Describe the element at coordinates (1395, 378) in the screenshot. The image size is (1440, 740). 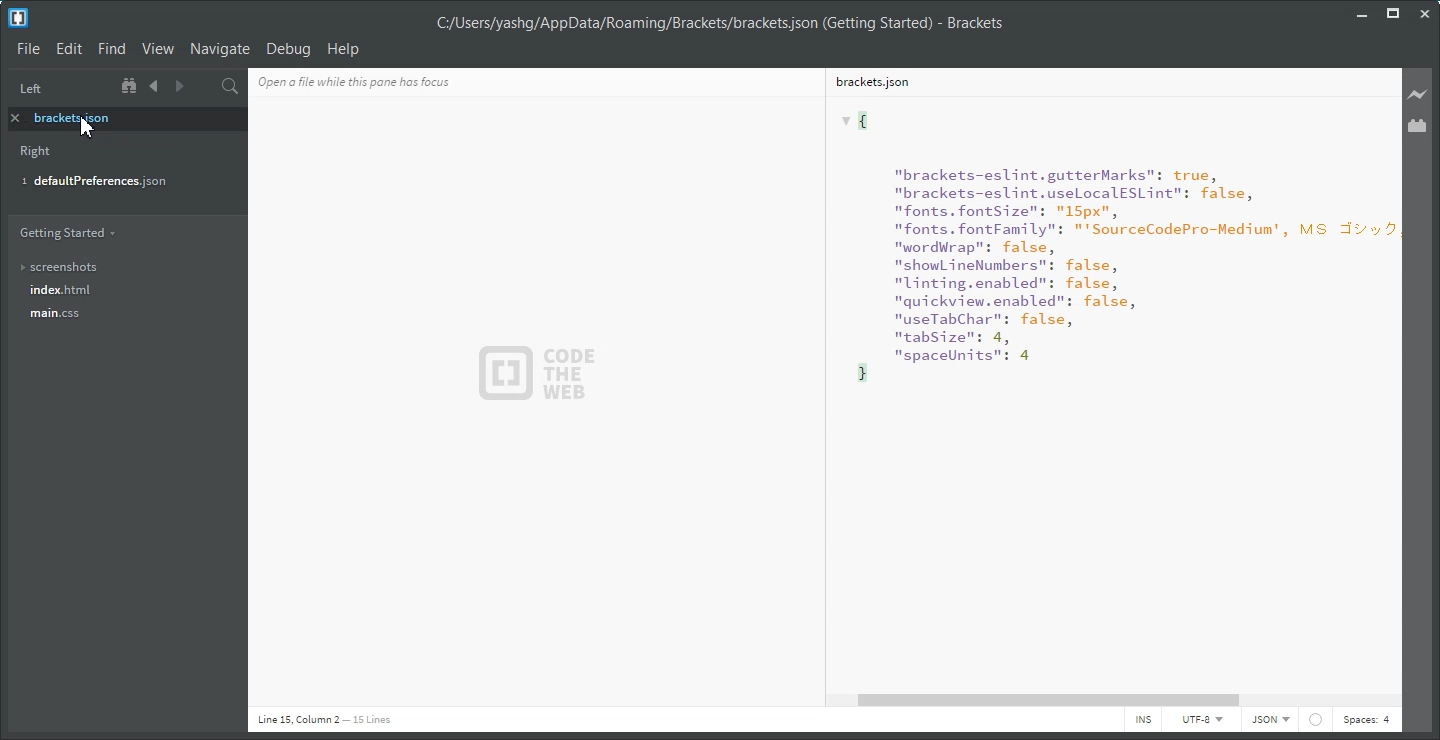
I see `Vertical scroll bar` at that location.